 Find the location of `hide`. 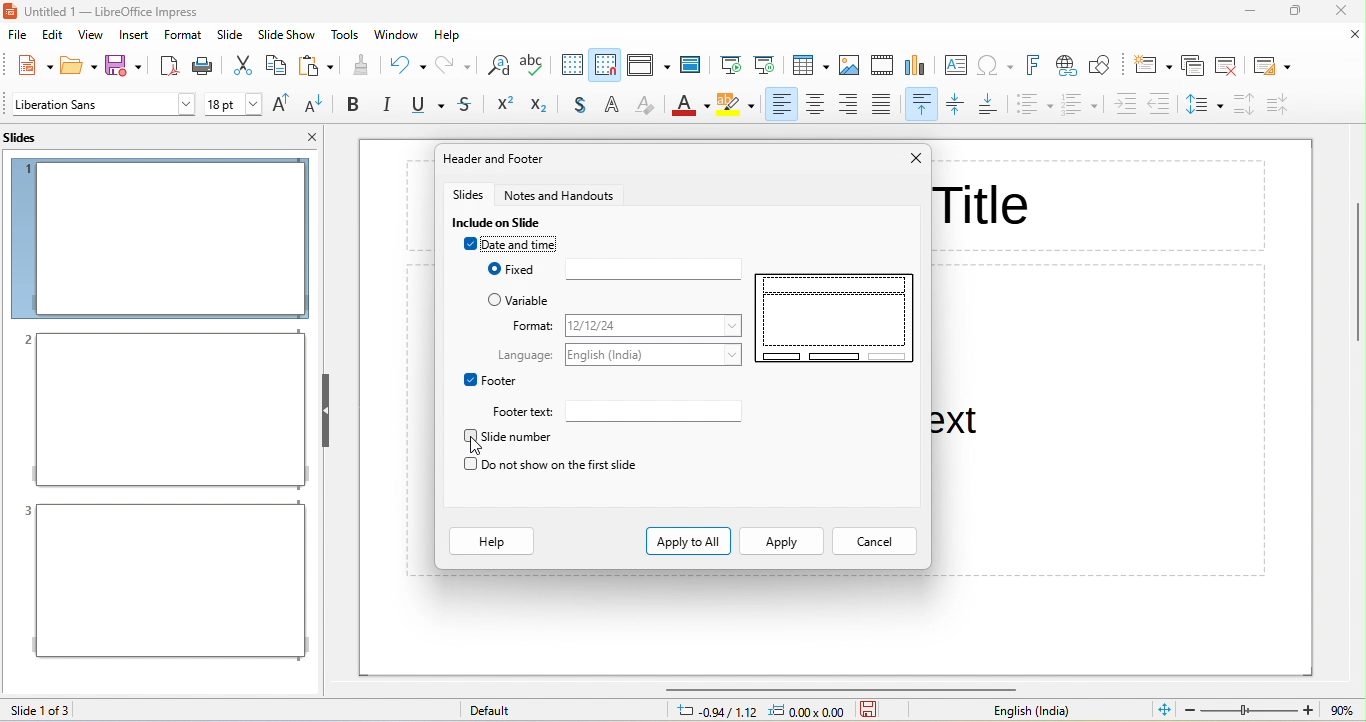

hide is located at coordinates (324, 410).